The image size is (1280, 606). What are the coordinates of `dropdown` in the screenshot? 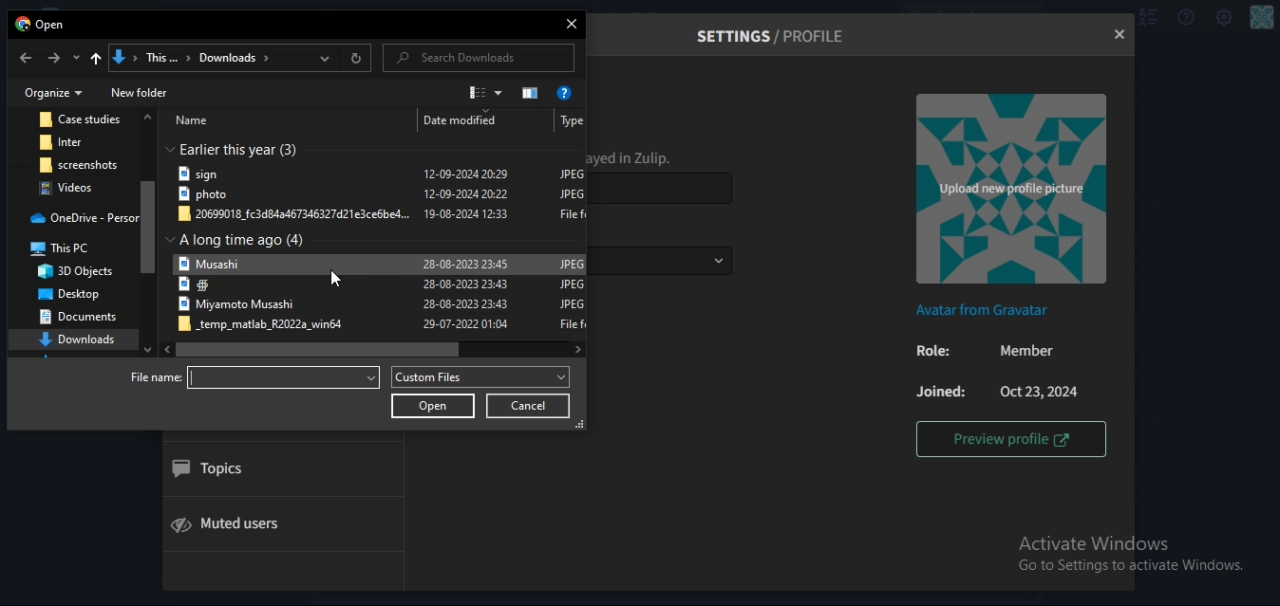 It's located at (75, 58).